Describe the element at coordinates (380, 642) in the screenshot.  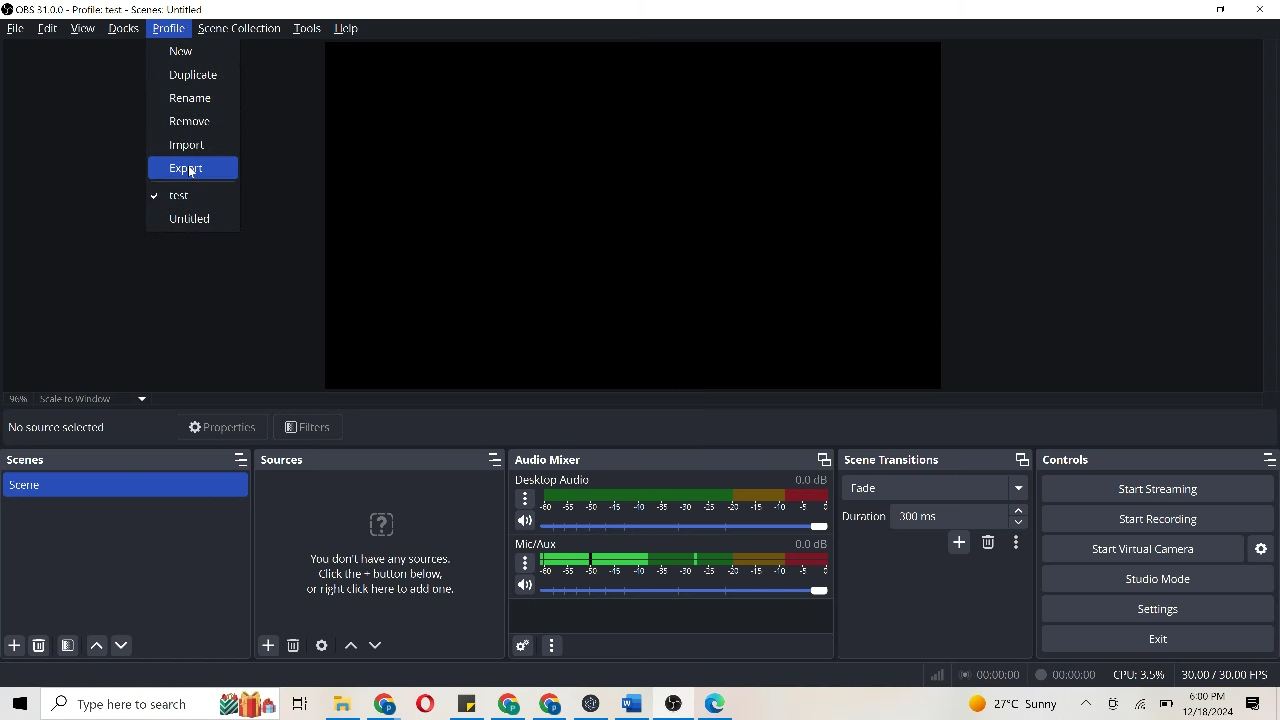
I see `move sources down` at that location.